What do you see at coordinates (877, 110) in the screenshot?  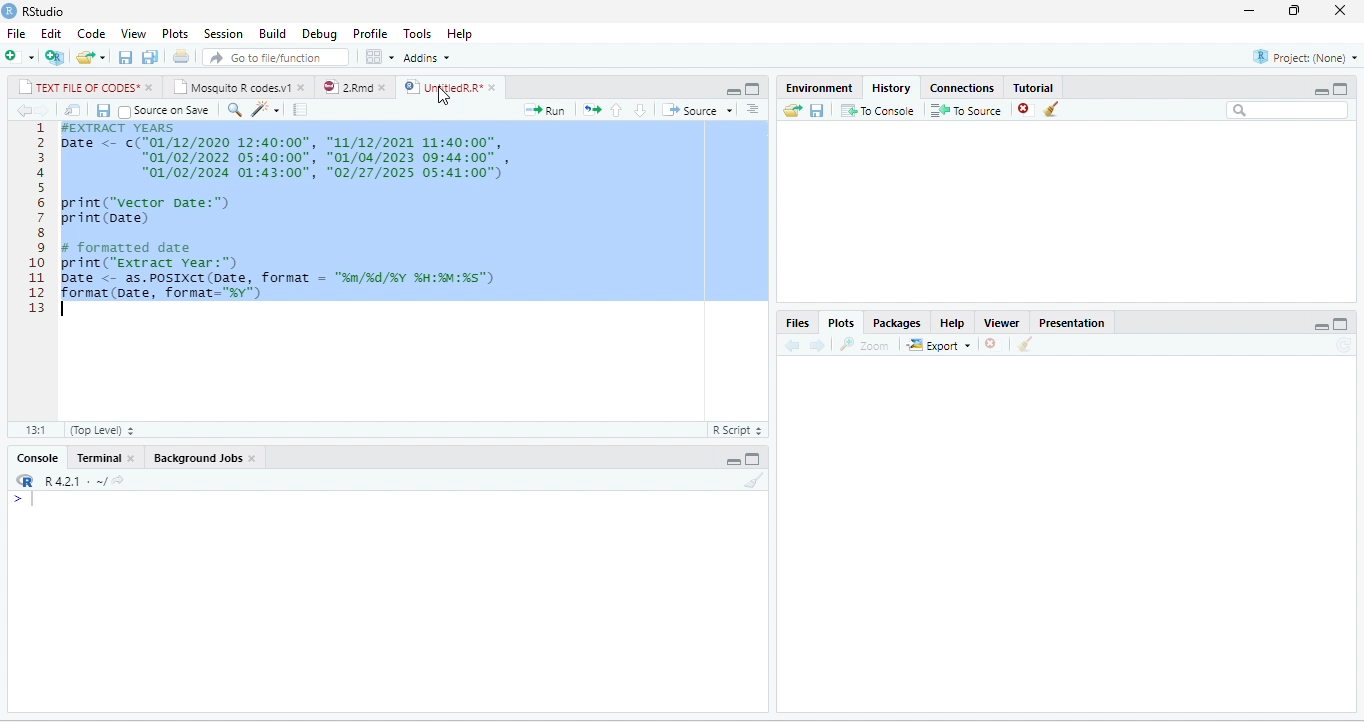 I see `To Console` at bounding box center [877, 110].